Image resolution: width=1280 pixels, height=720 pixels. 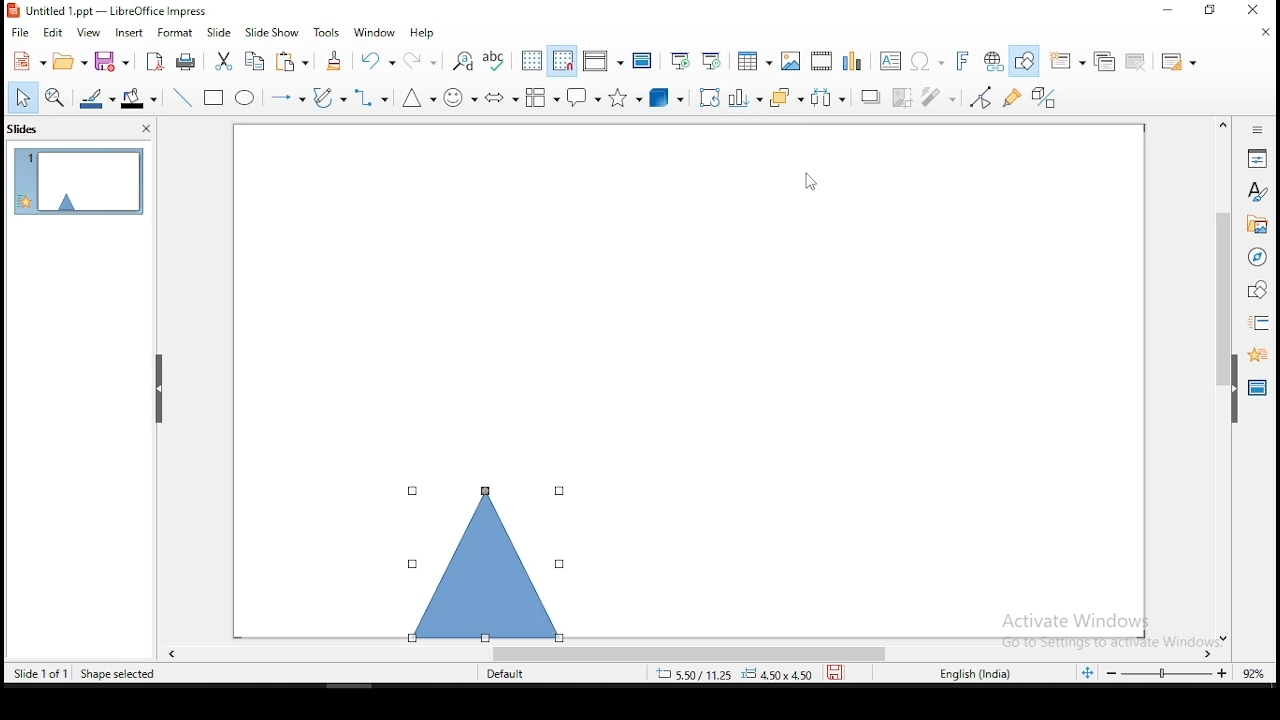 I want to click on curves and polygons, so click(x=329, y=99).